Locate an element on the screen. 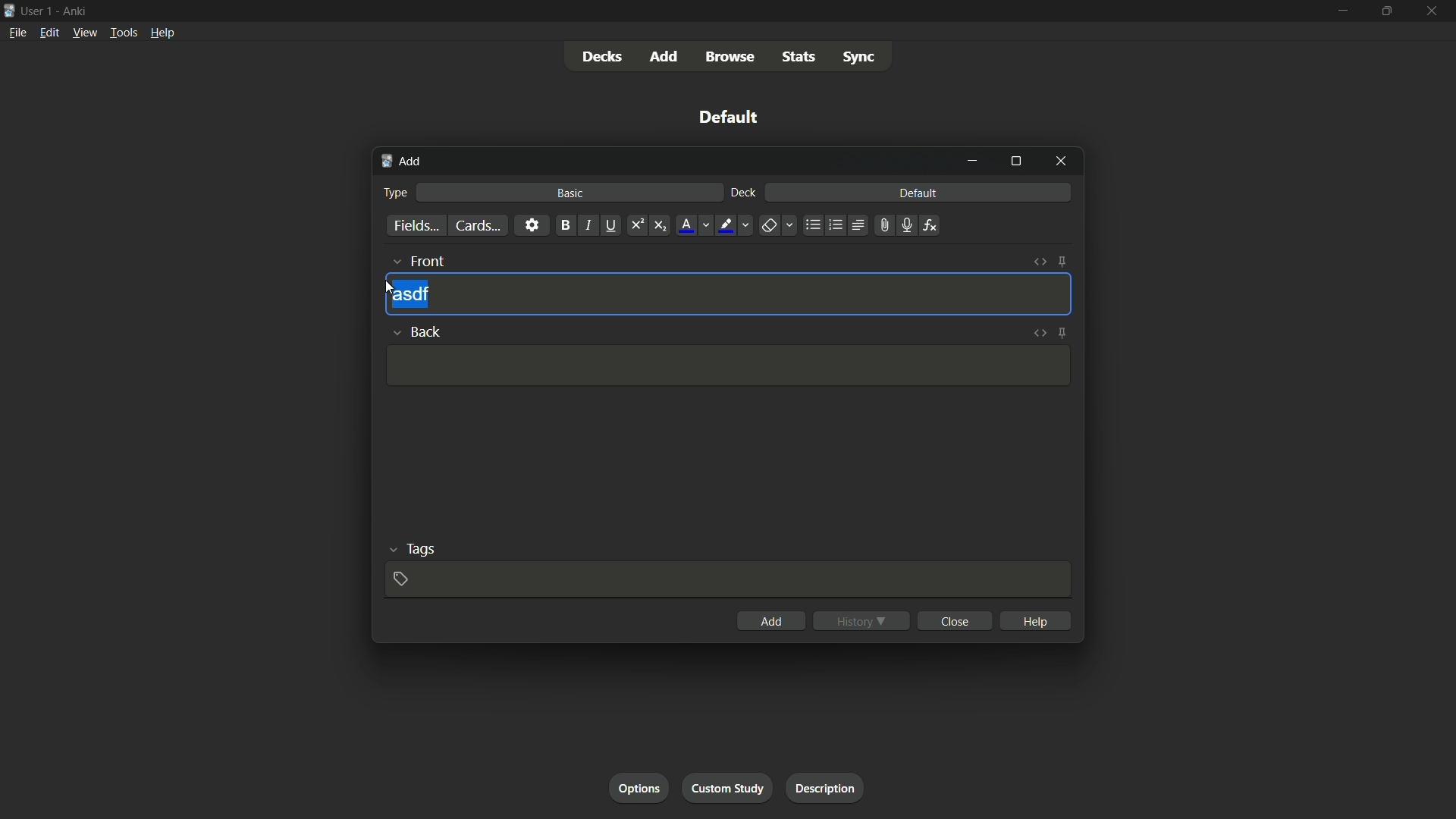 The width and height of the screenshot is (1456, 819). browse is located at coordinates (730, 57).